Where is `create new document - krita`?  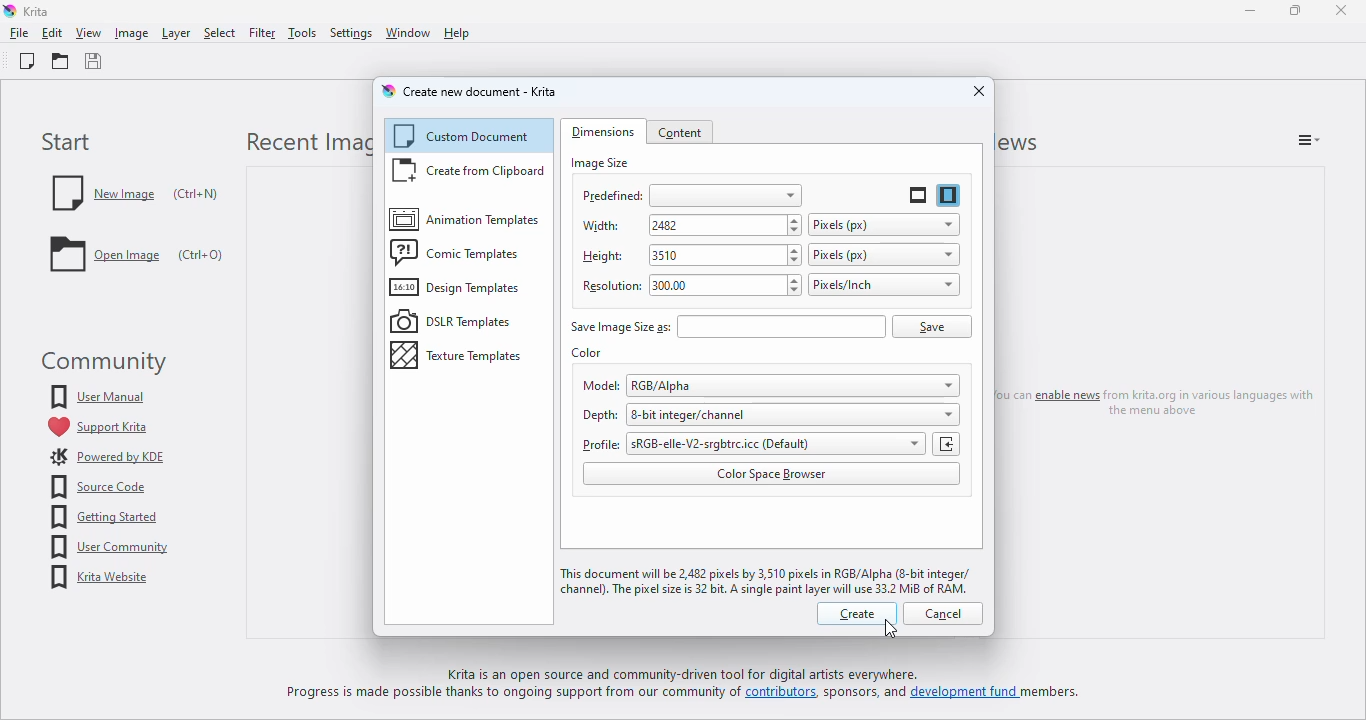 create new document - krita is located at coordinates (480, 92).